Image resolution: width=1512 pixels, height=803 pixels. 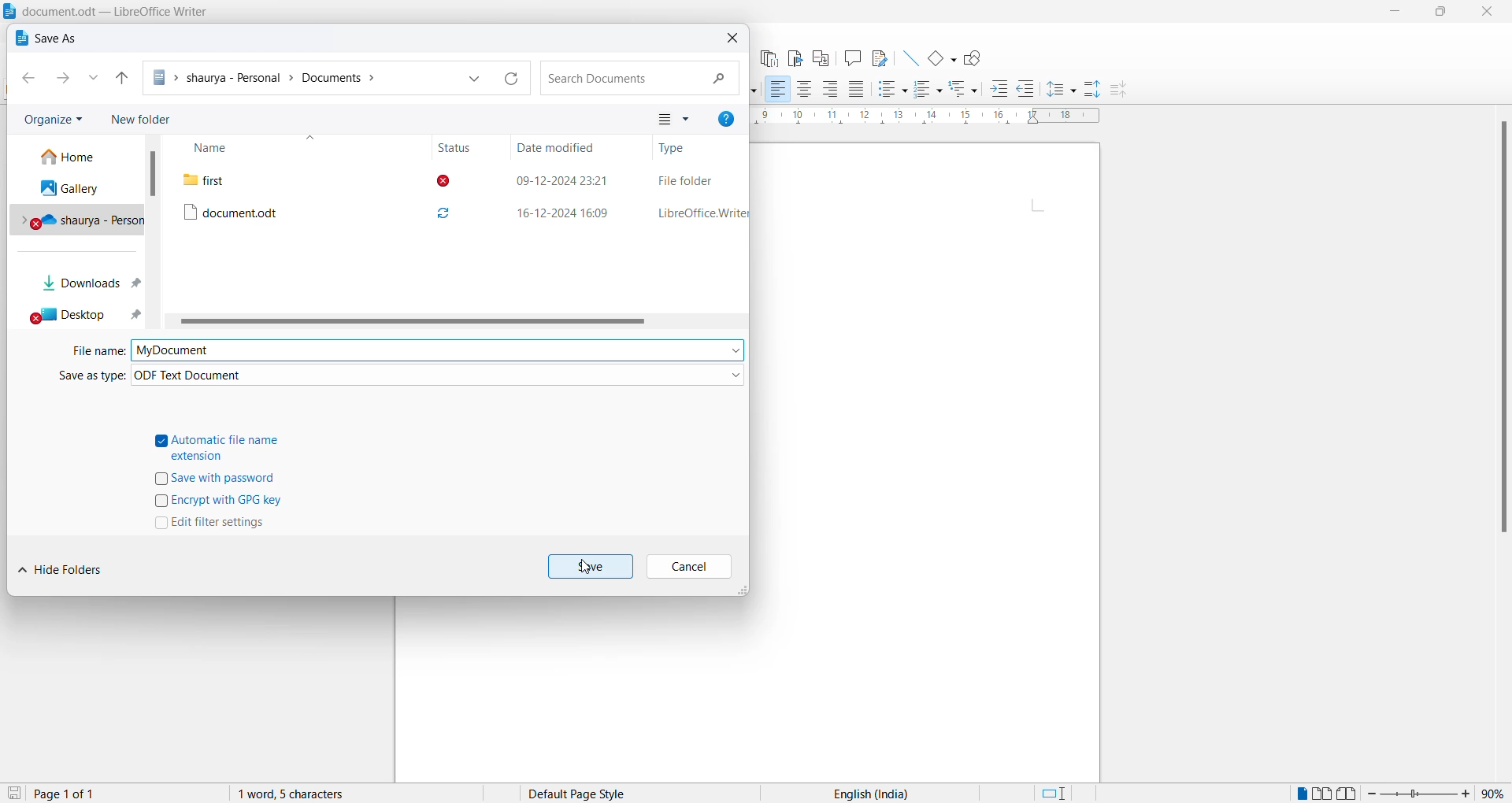 I want to click on save with password options, so click(x=224, y=479).